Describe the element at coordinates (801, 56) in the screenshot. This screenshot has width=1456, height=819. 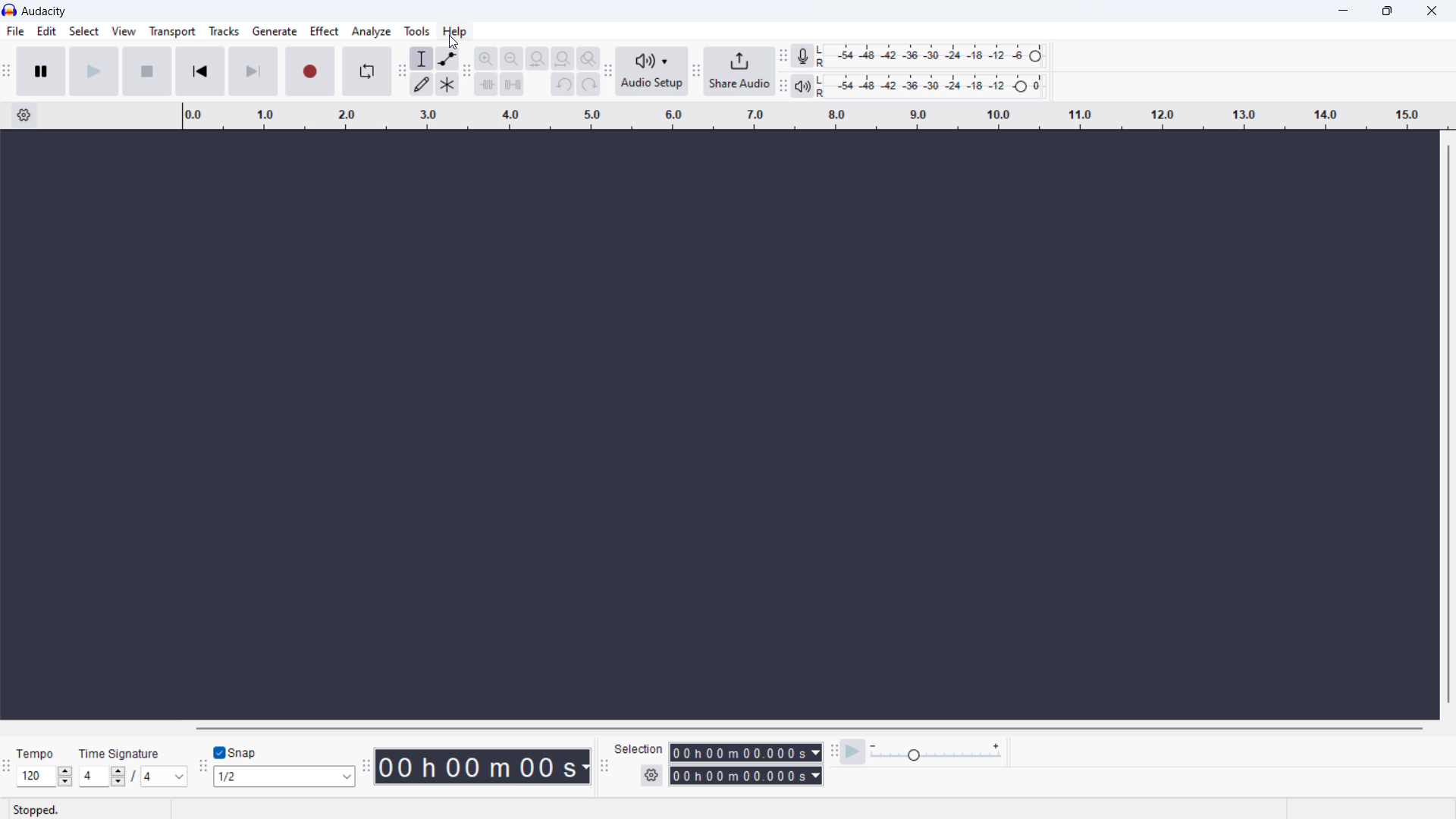
I see `recording meter` at that location.